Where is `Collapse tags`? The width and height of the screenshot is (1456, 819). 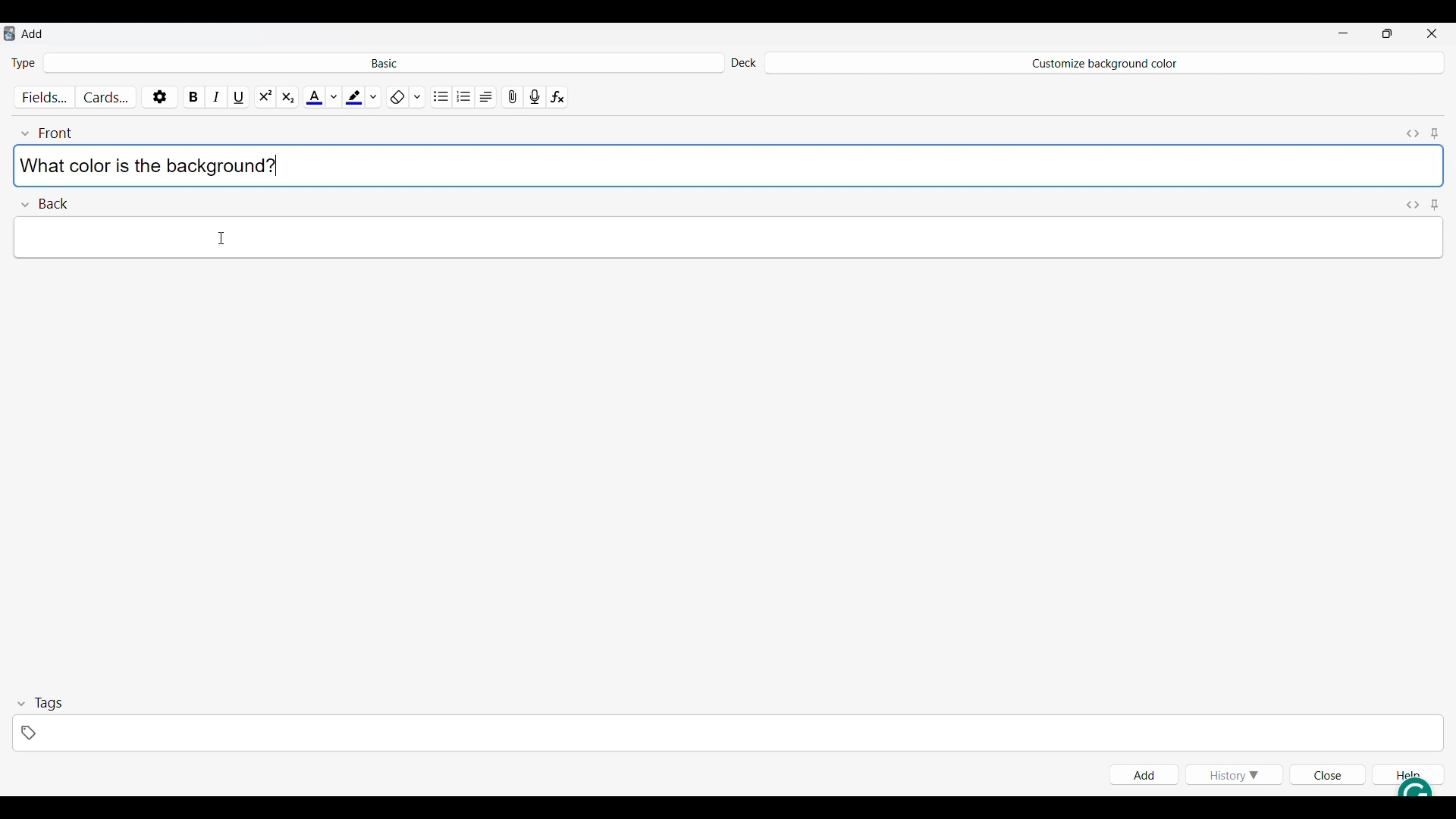 Collapse tags is located at coordinates (40, 704).